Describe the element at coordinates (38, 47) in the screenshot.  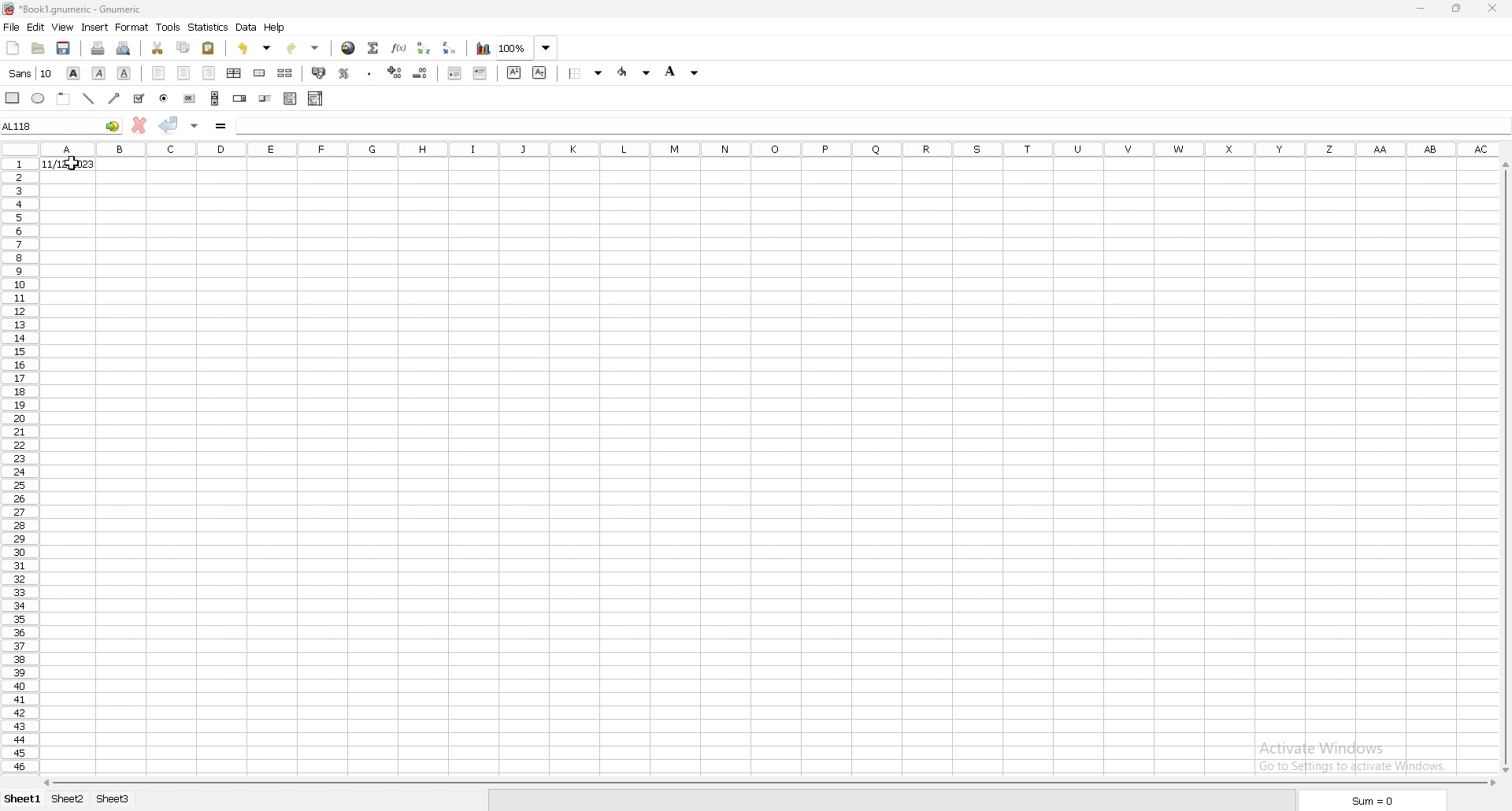
I see `open` at that location.